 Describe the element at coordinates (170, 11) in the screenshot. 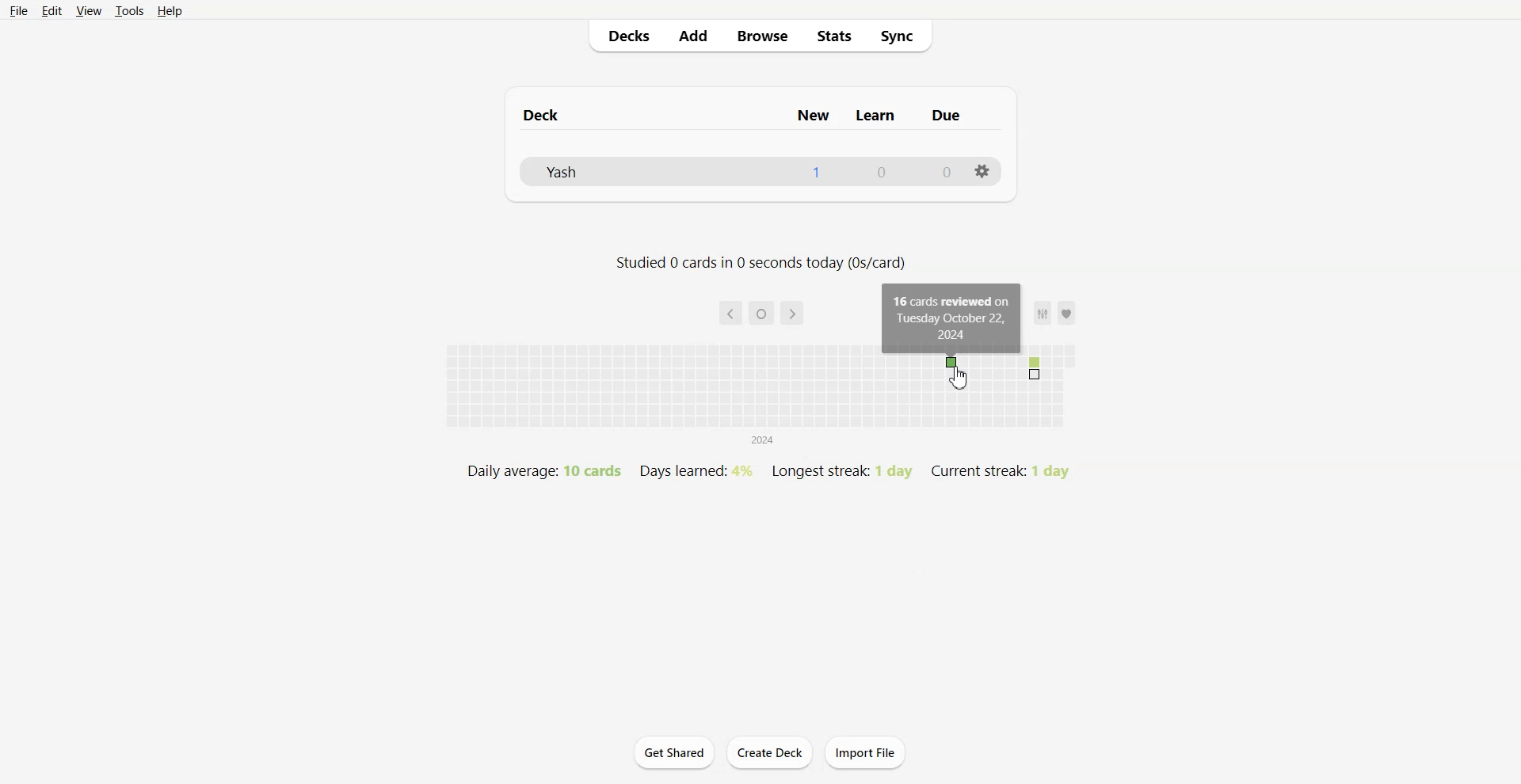

I see `Help` at that location.